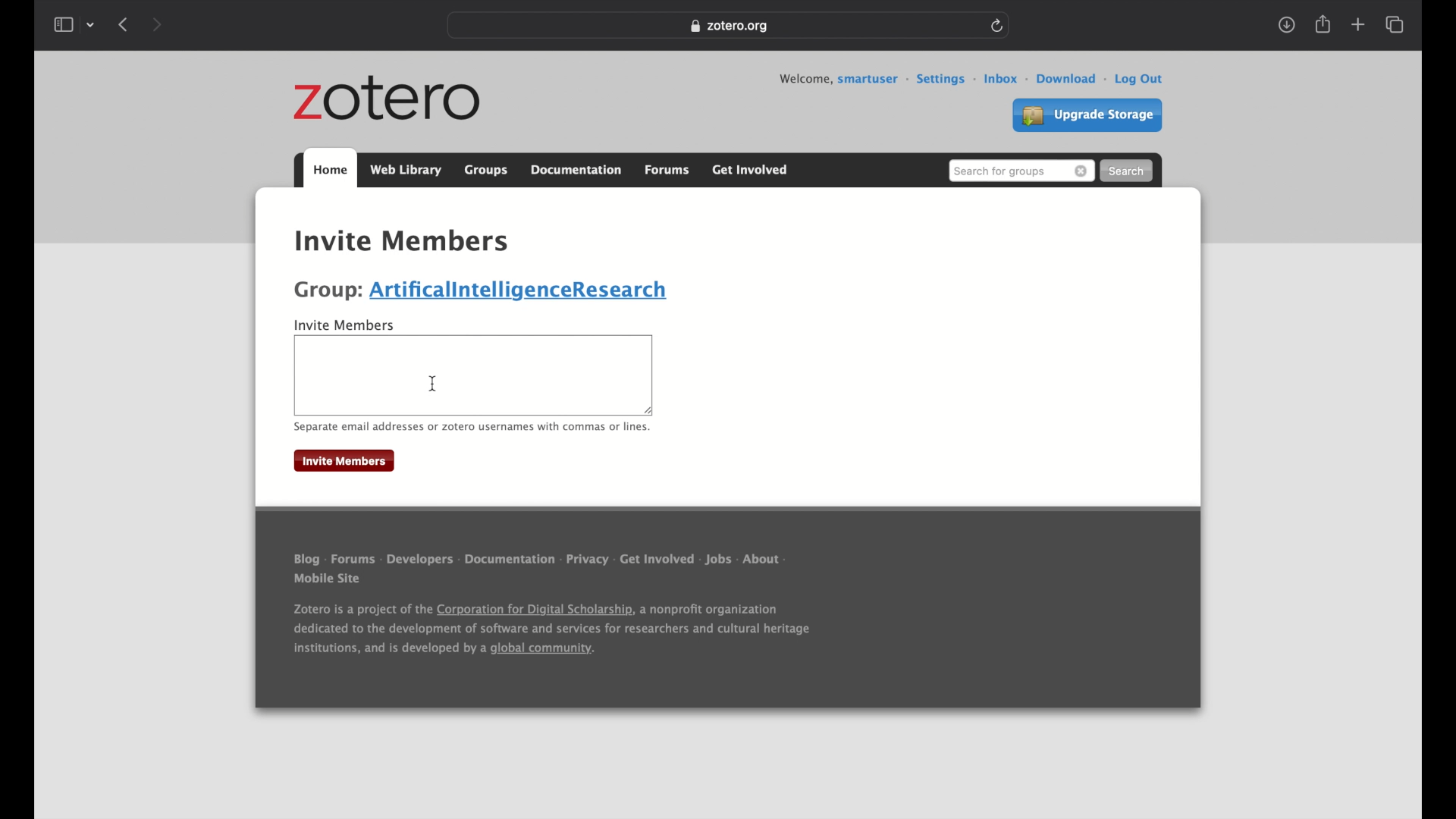  Describe the element at coordinates (844, 80) in the screenshot. I see `welcome, smartuser` at that location.